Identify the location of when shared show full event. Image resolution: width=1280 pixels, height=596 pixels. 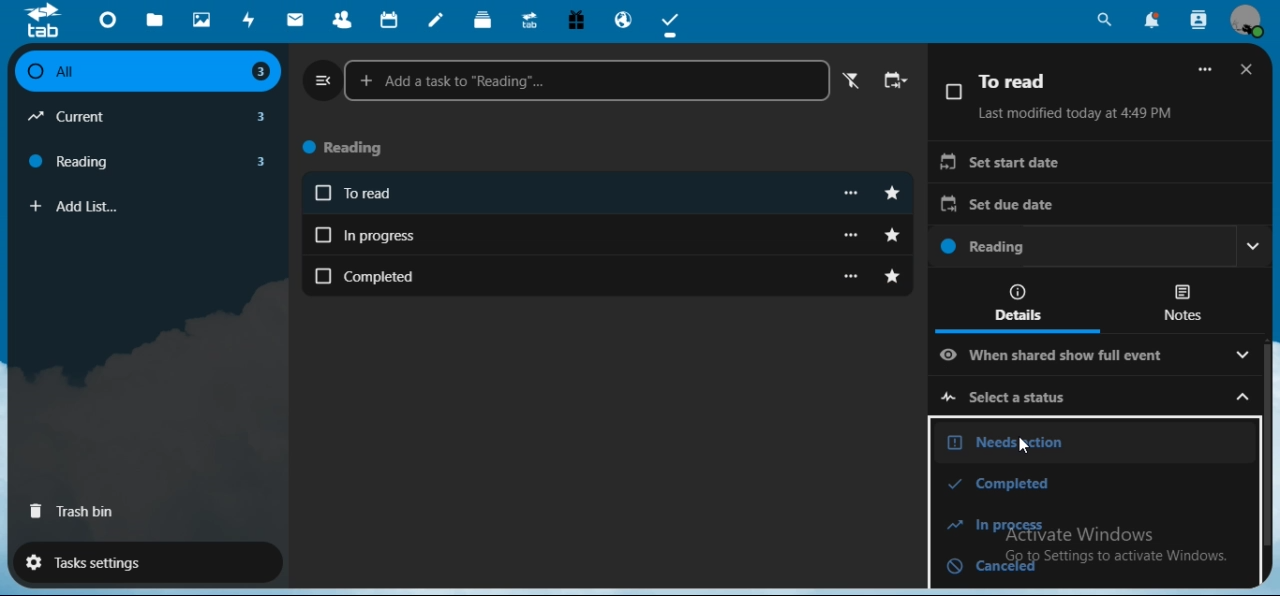
(1074, 355).